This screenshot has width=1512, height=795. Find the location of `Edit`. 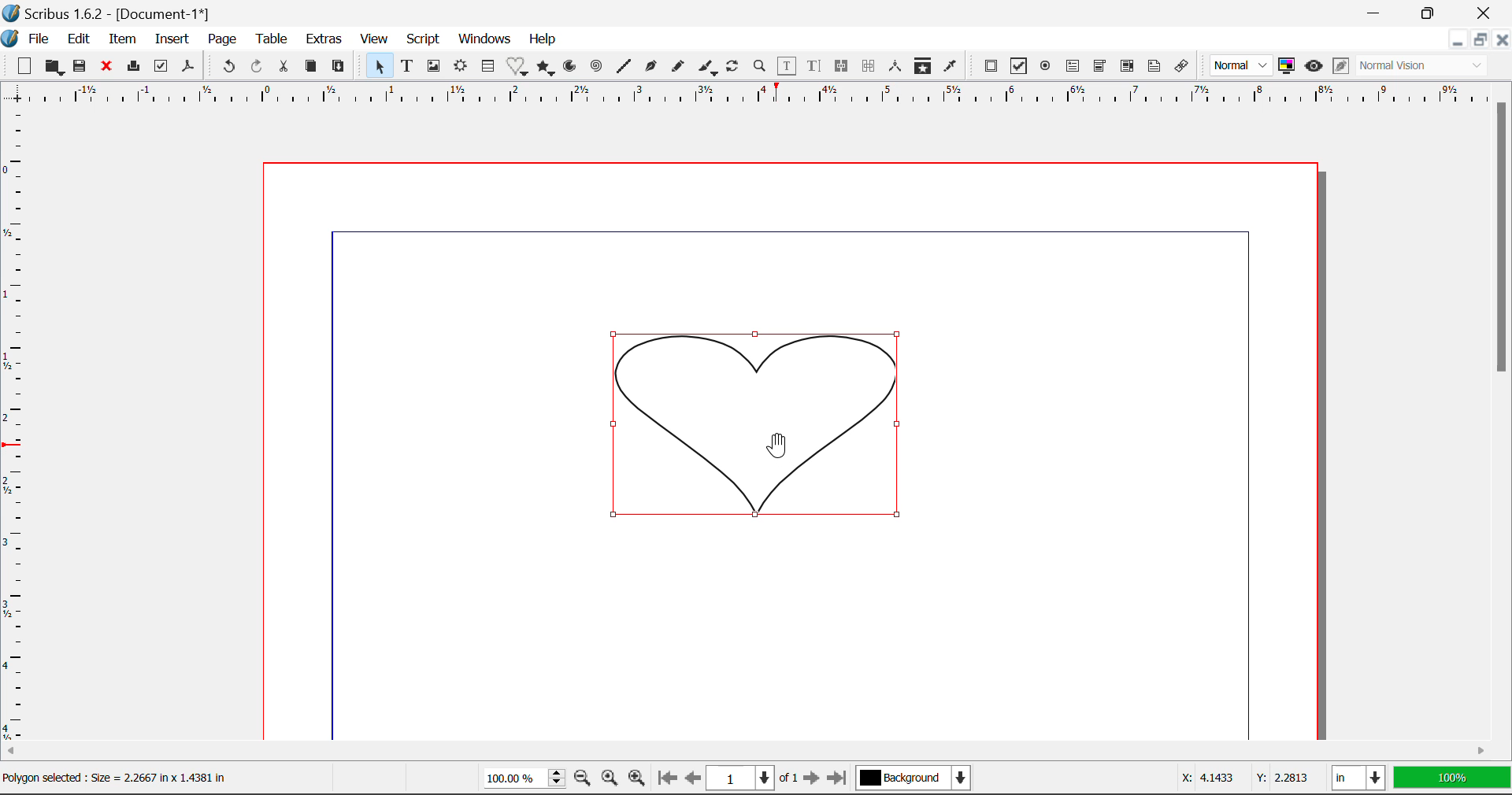

Edit is located at coordinates (79, 39).